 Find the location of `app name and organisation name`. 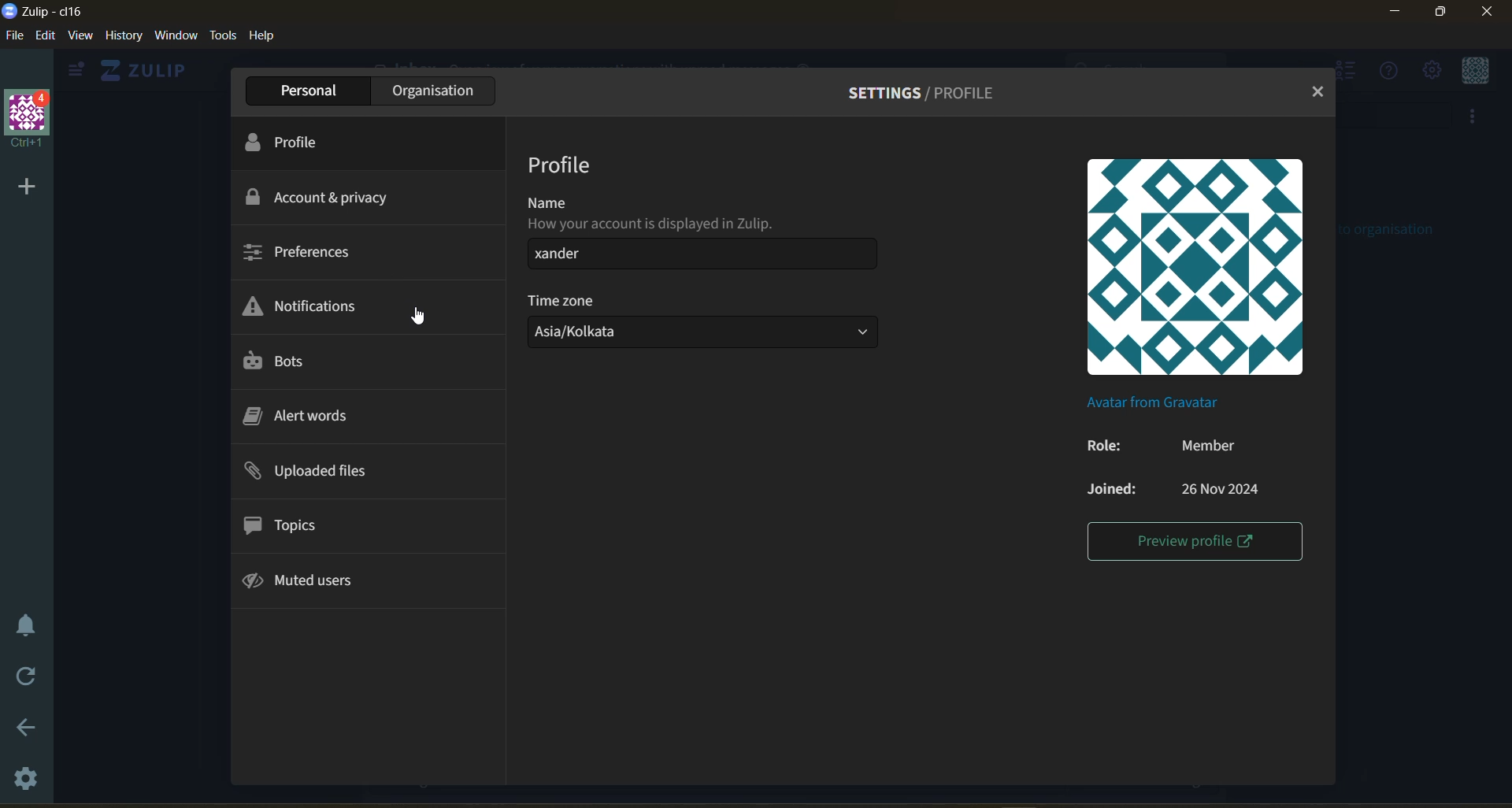

app name and organisation name is located at coordinates (58, 11).